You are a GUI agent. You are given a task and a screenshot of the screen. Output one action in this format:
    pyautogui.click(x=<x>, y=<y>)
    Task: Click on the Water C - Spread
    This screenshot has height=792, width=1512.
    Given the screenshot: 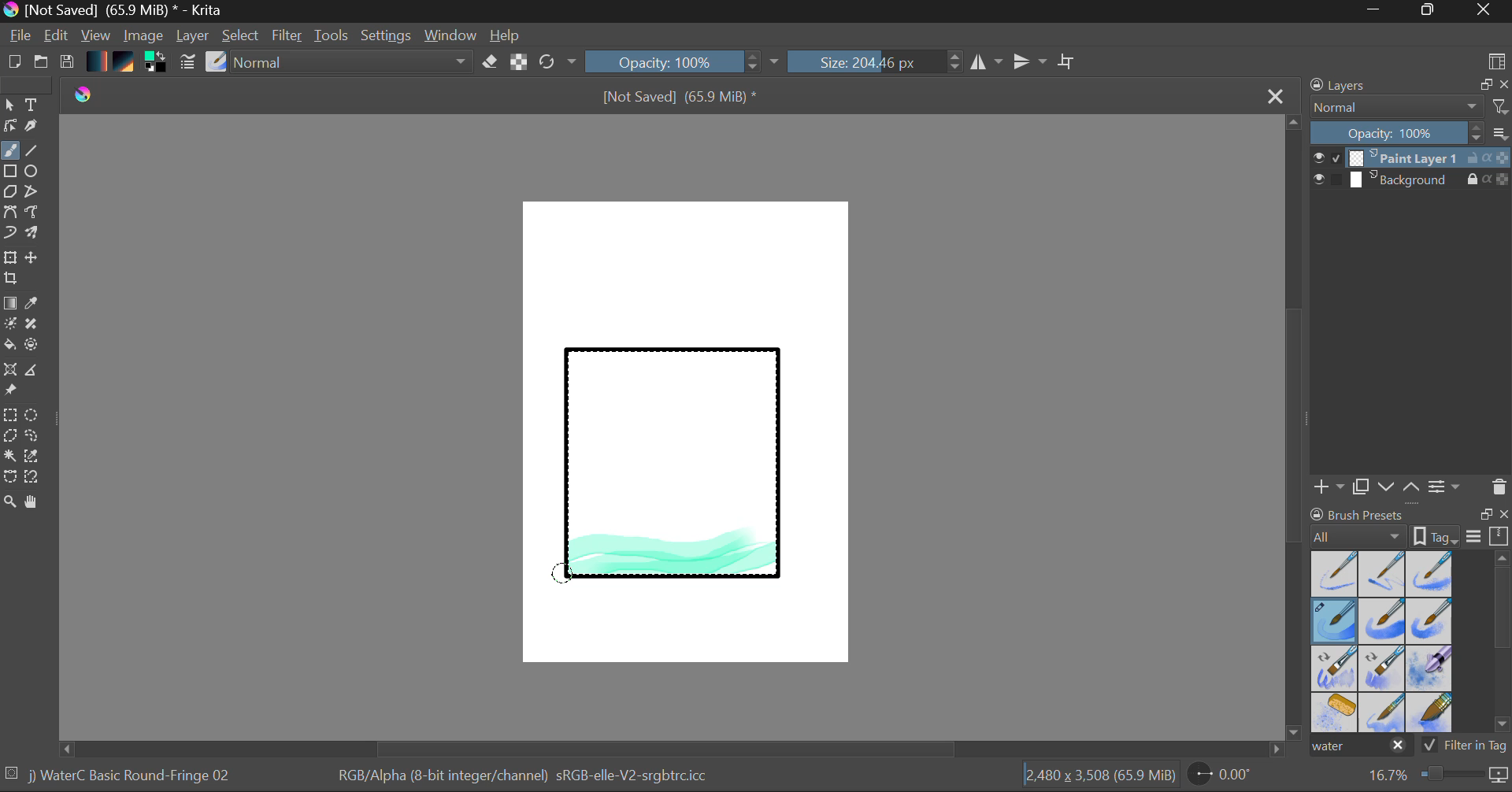 What is the action you would take?
    pyautogui.click(x=1384, y=712)
    